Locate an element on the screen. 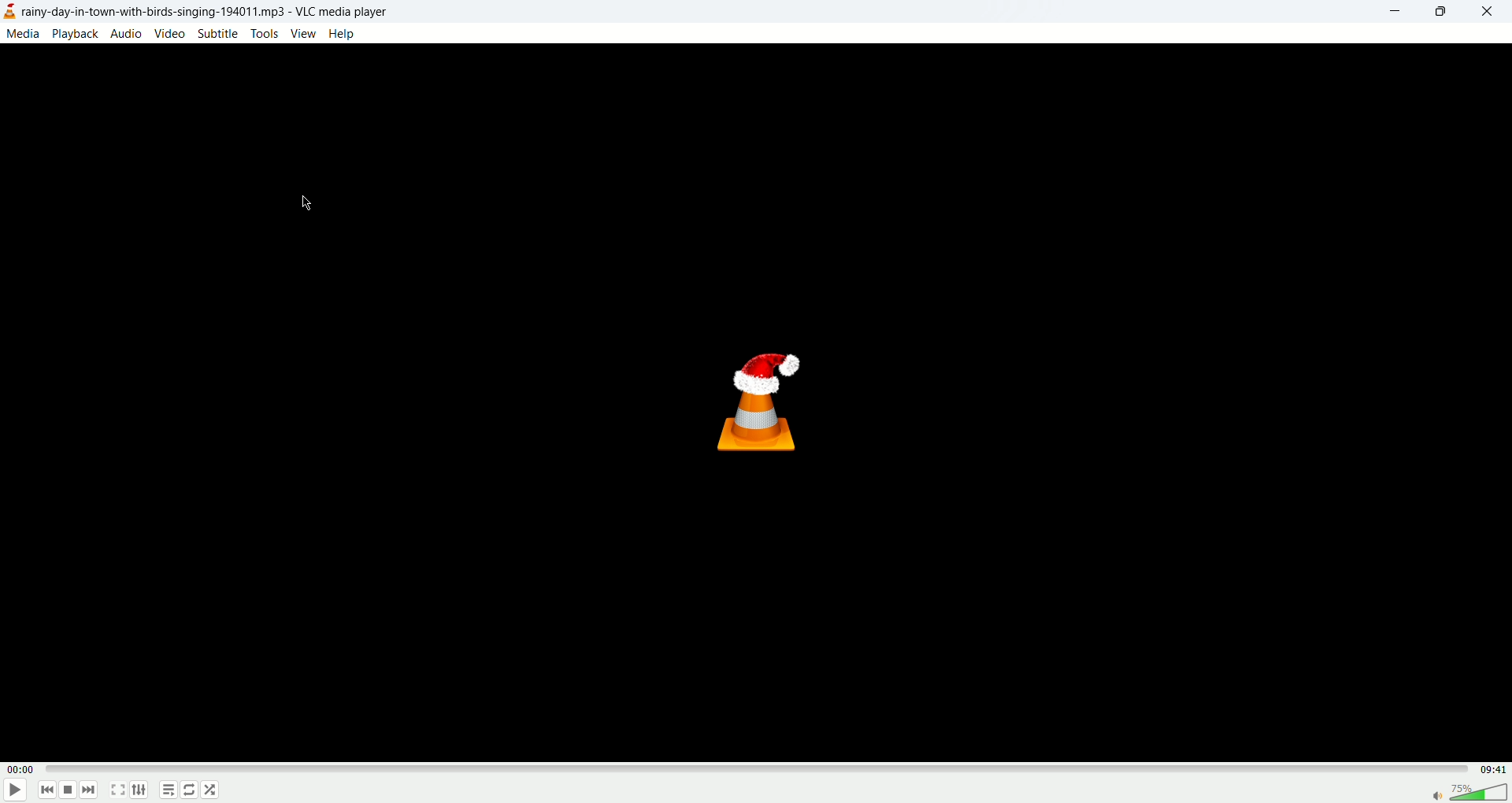 The height and width of the screenshot is (803, 1512). extended settings is located at coordinates (142, 790).